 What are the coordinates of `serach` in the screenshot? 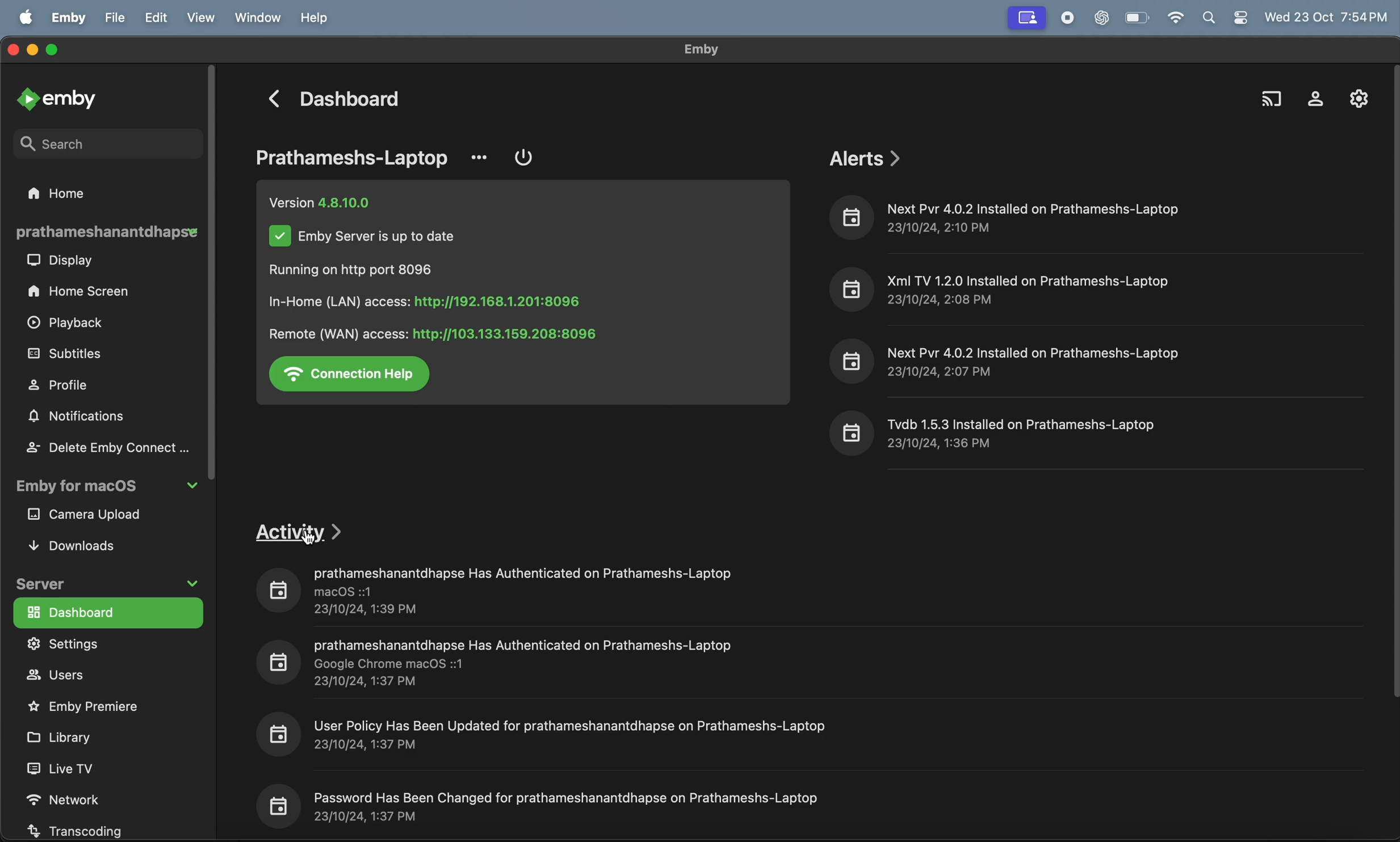 It's located at (98, 142).